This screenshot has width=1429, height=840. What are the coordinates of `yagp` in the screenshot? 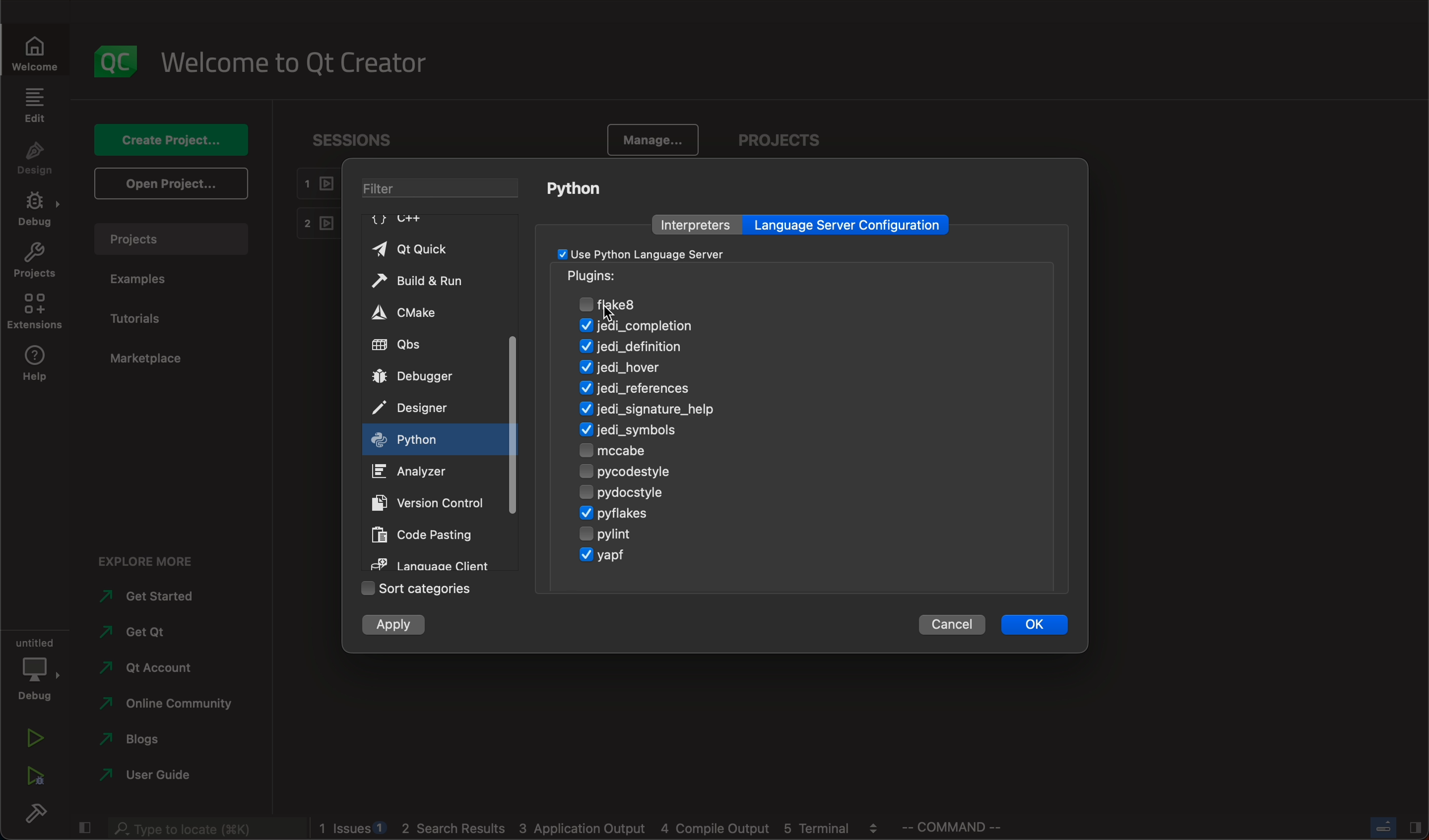 It's located at (610, 553).